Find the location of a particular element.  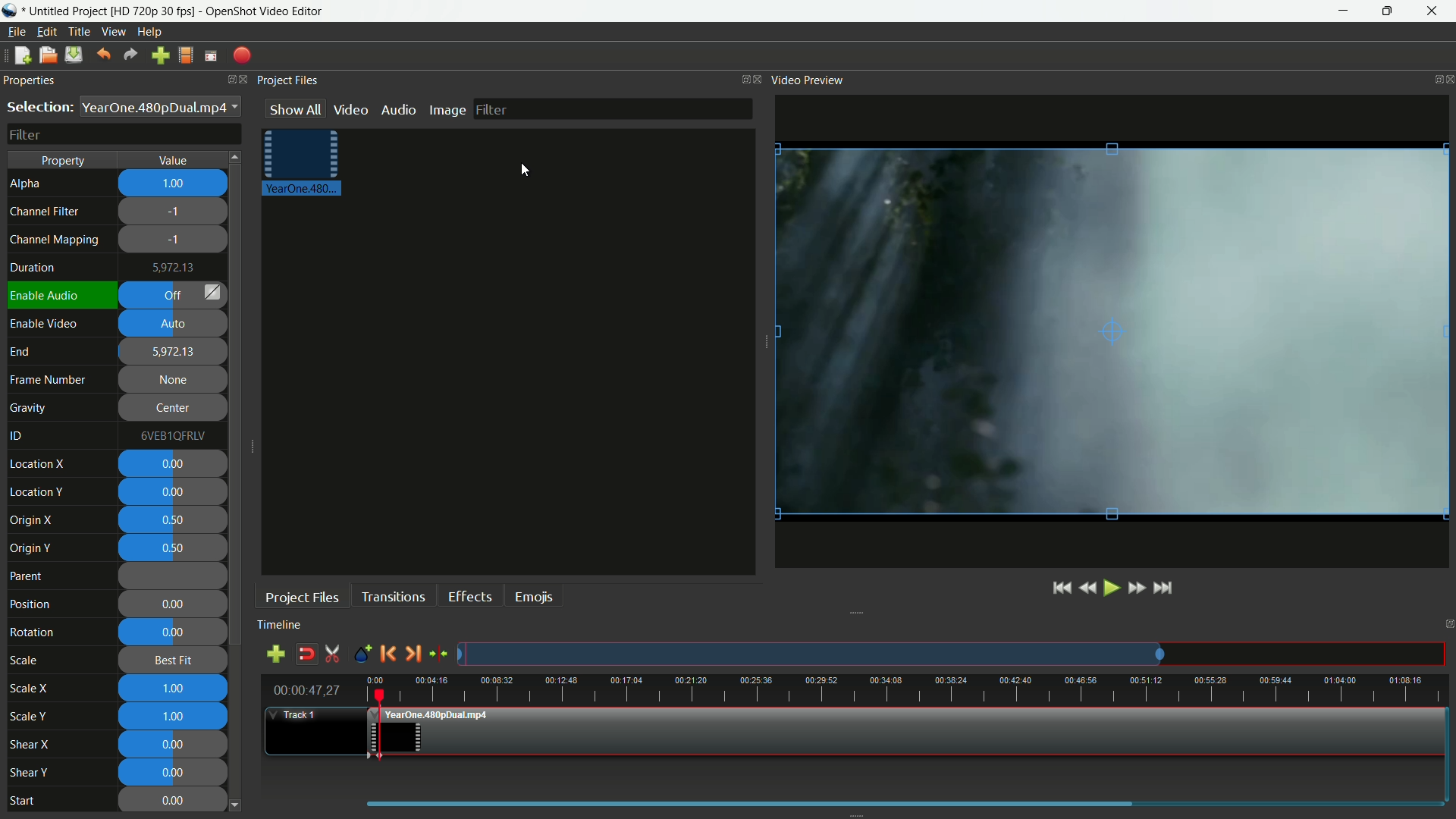

off is located at coordinates (174, 296).